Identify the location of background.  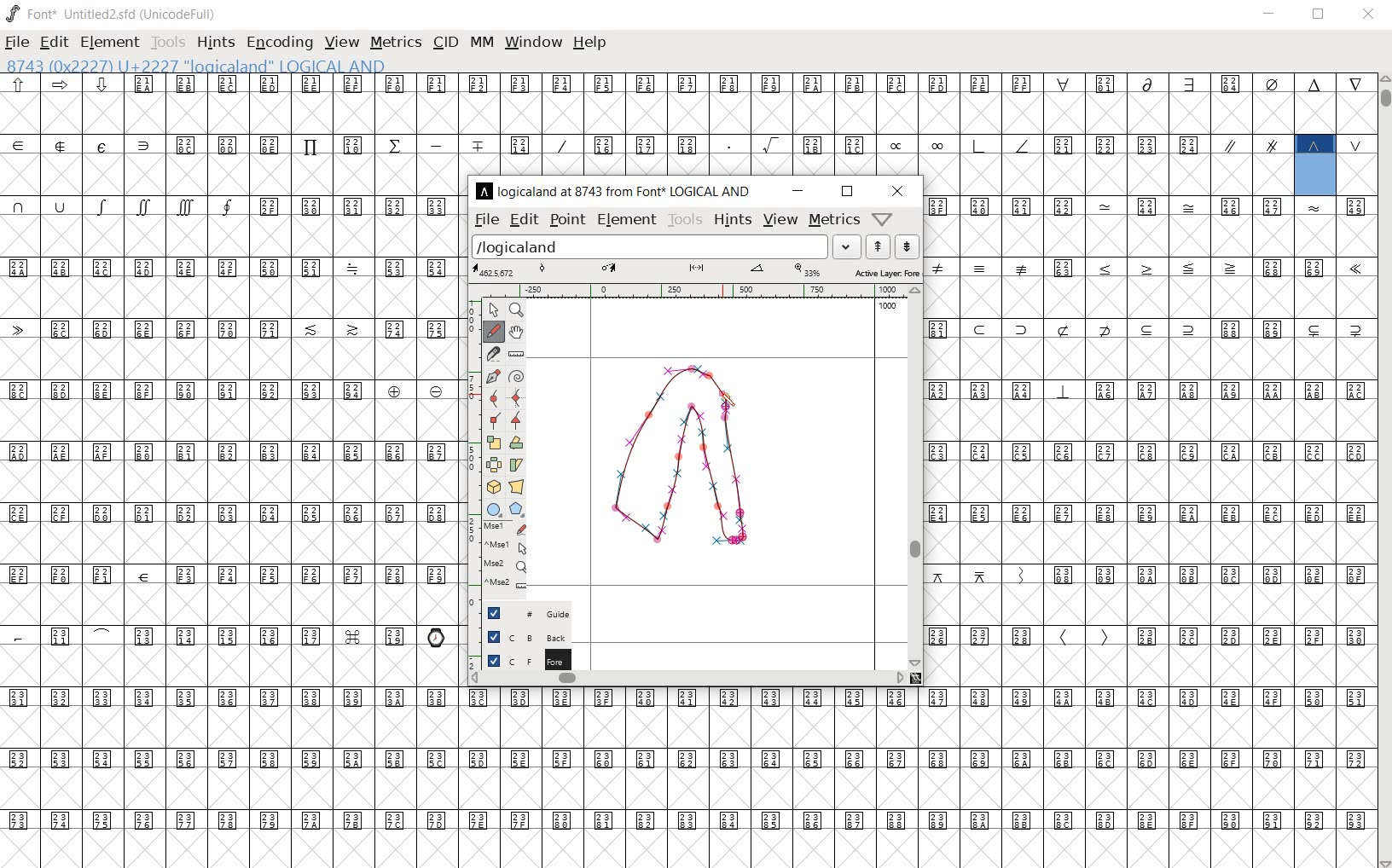
(519, 638).